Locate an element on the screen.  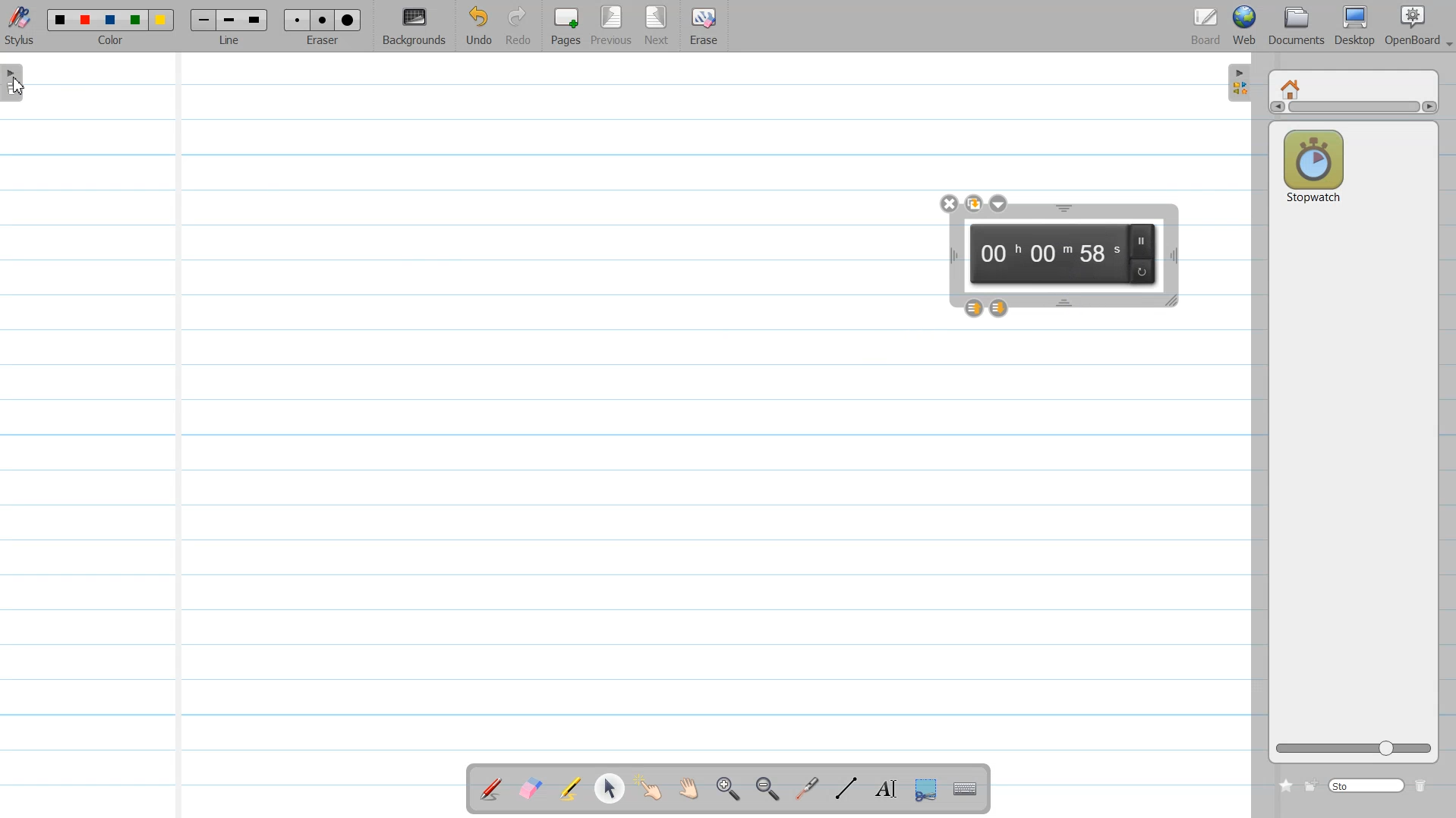
Drop down box is located at coordinates (999, 203).